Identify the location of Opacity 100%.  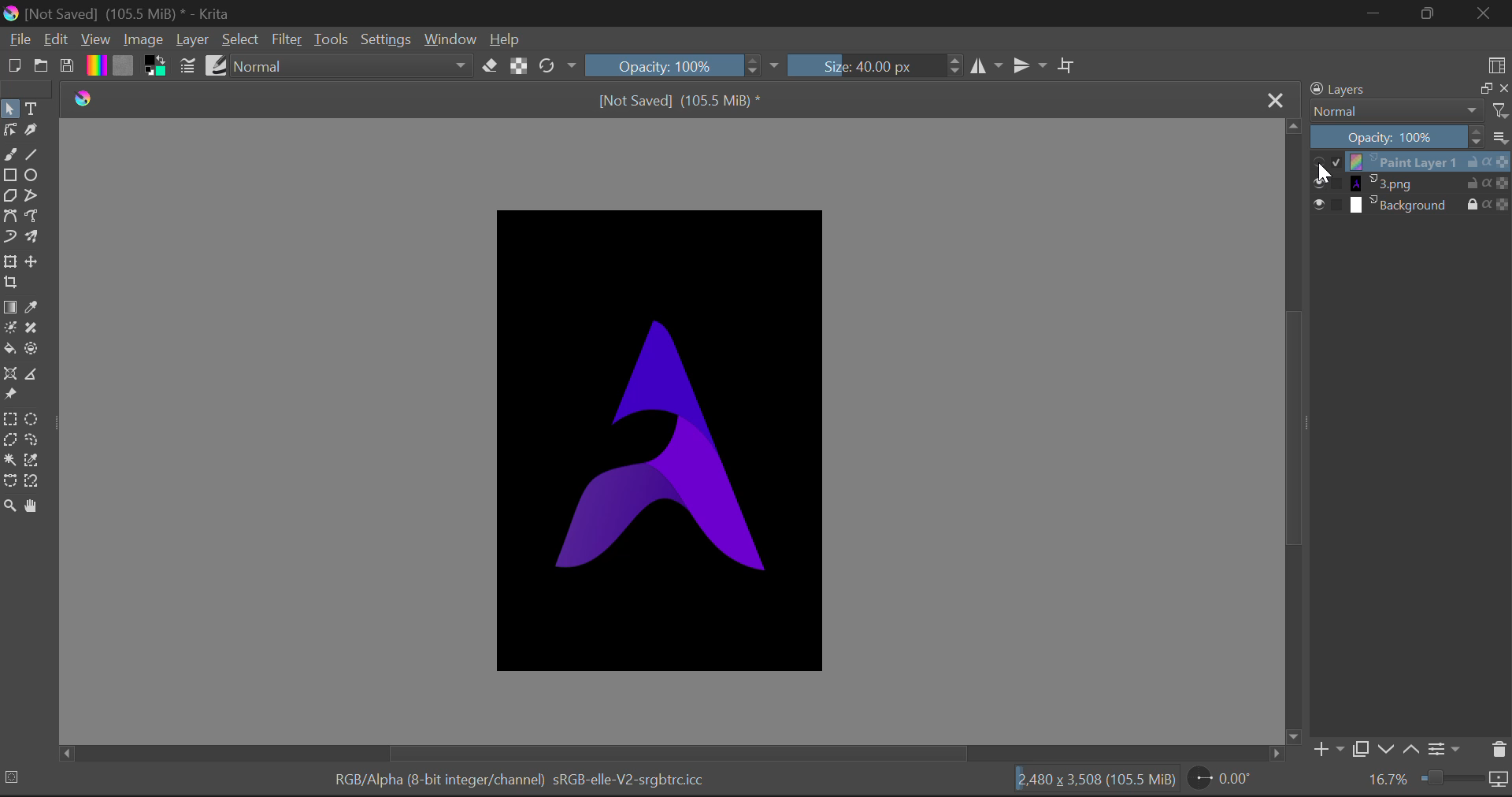
(1388, 137).